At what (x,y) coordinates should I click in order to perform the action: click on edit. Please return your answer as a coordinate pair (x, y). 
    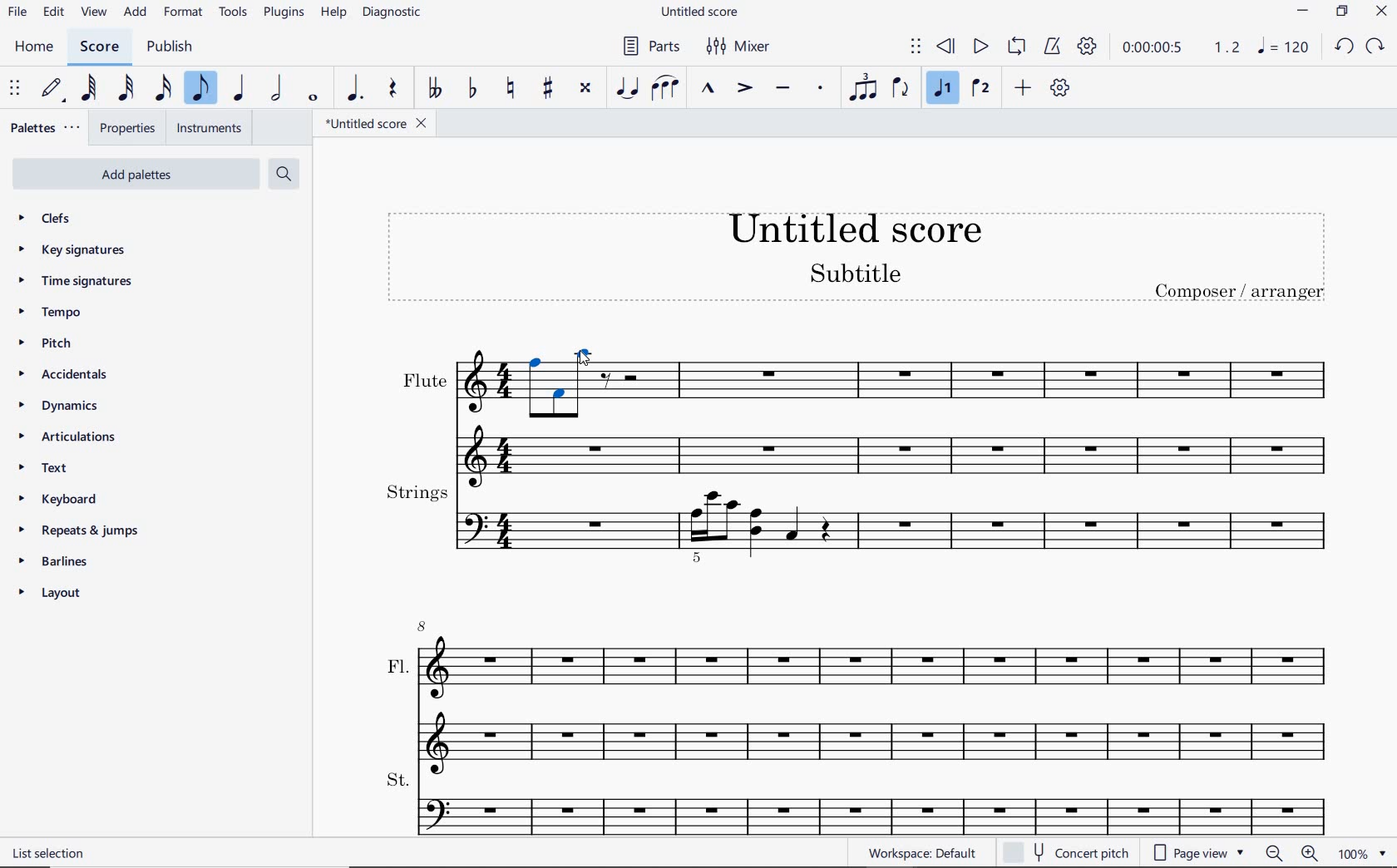
    Looking at the image, I should click on (53, 12).